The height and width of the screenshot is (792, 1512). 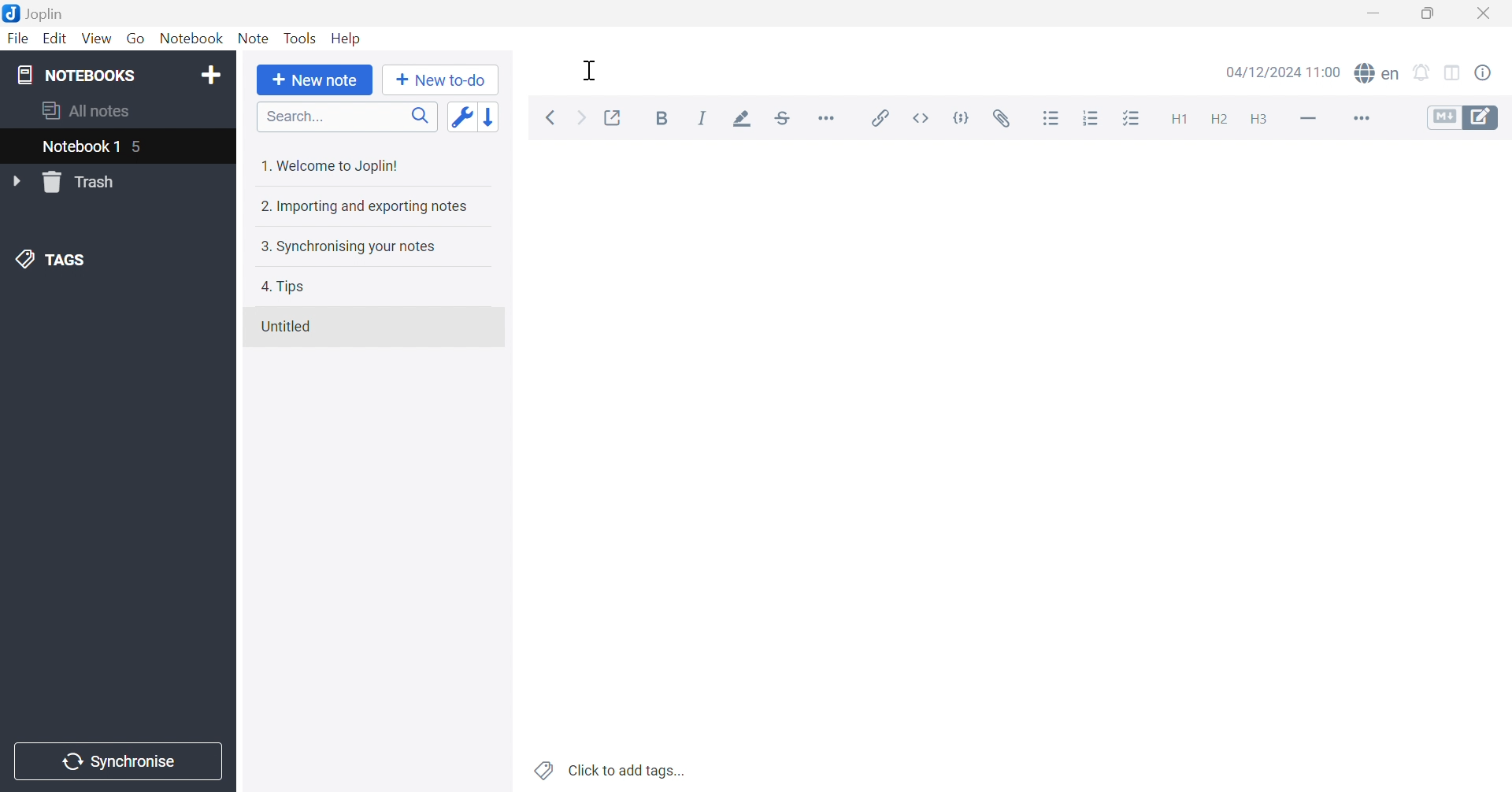 What do you see at coordinates (211, 73) in the screenshot?
I see `Add notebook` at bounding box center [211, 73].